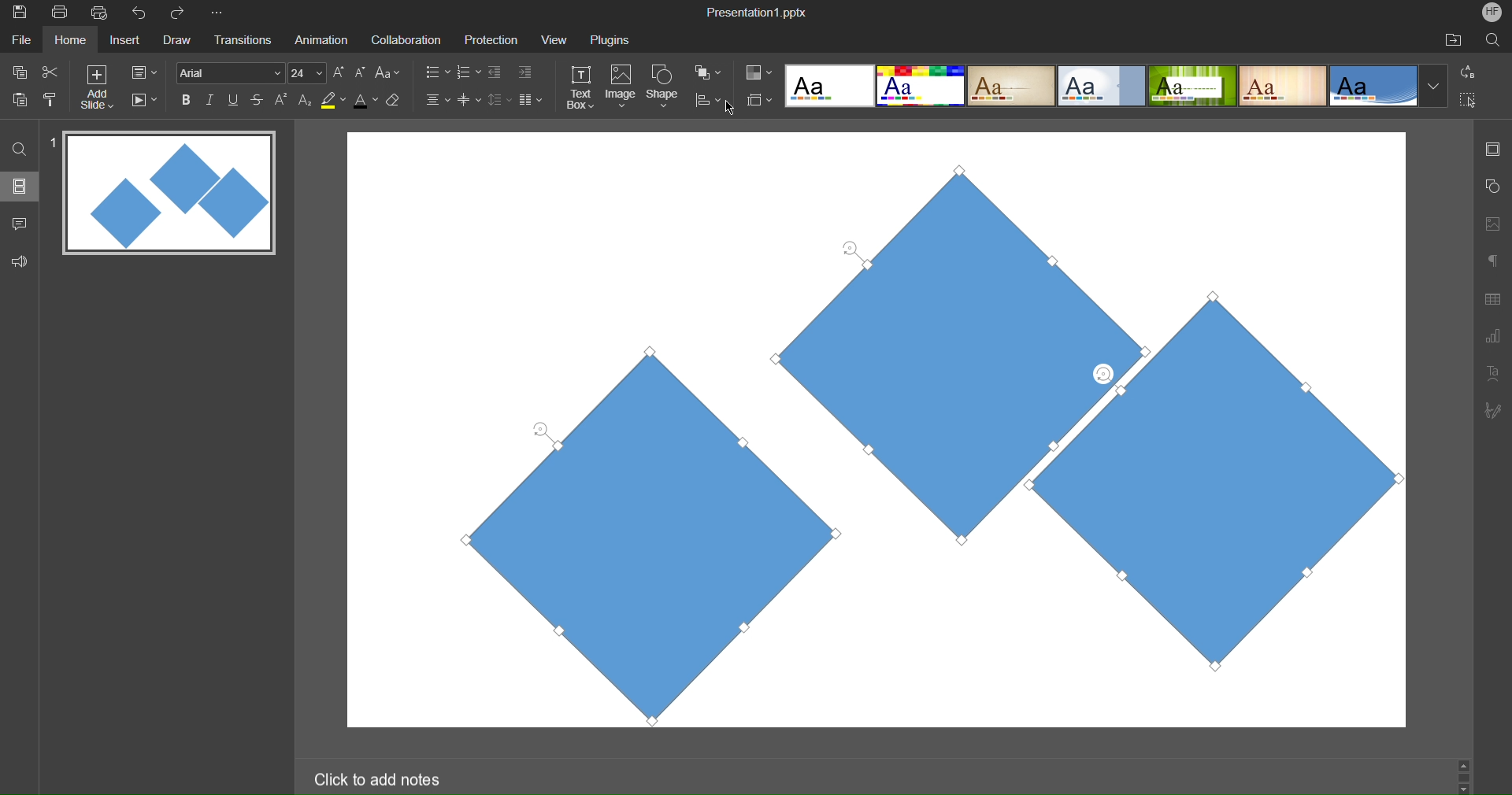 This screenshot has height=795, width=1512. I want to click on Shape, so click(664, 88).